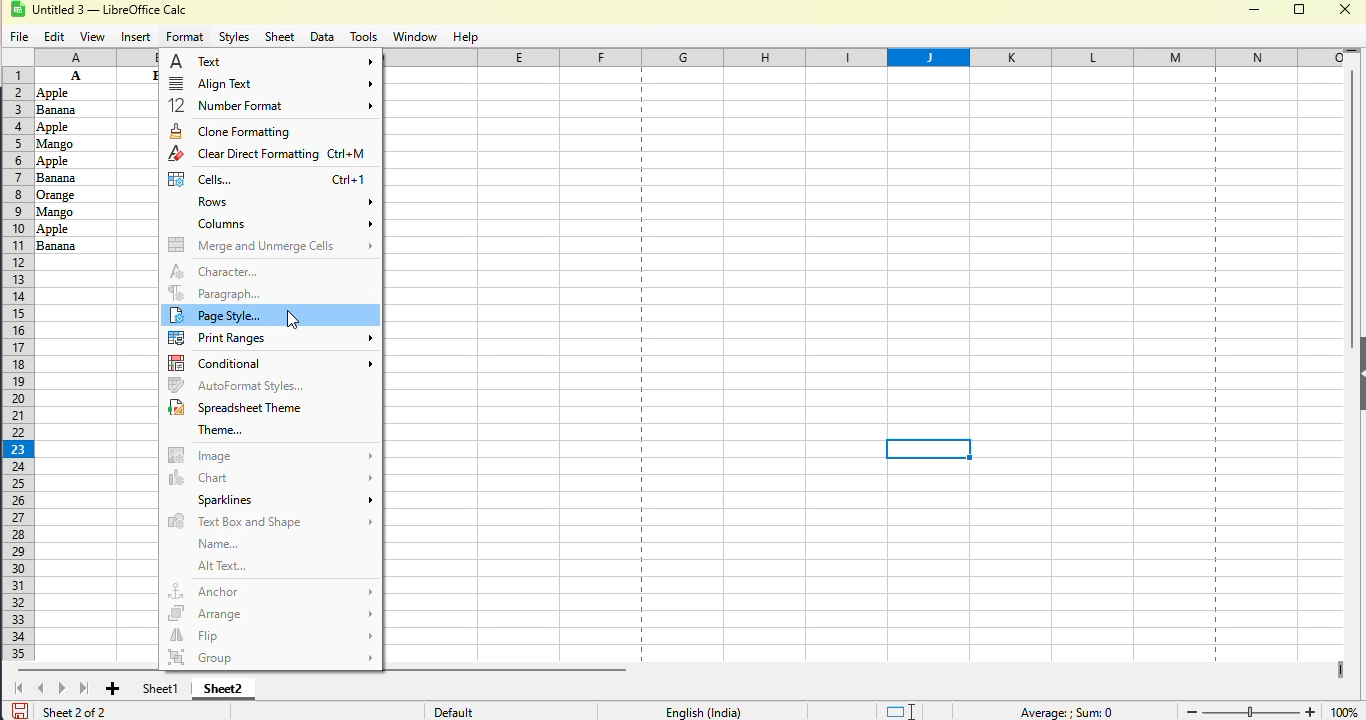  I want to click on , so click(76, 228).